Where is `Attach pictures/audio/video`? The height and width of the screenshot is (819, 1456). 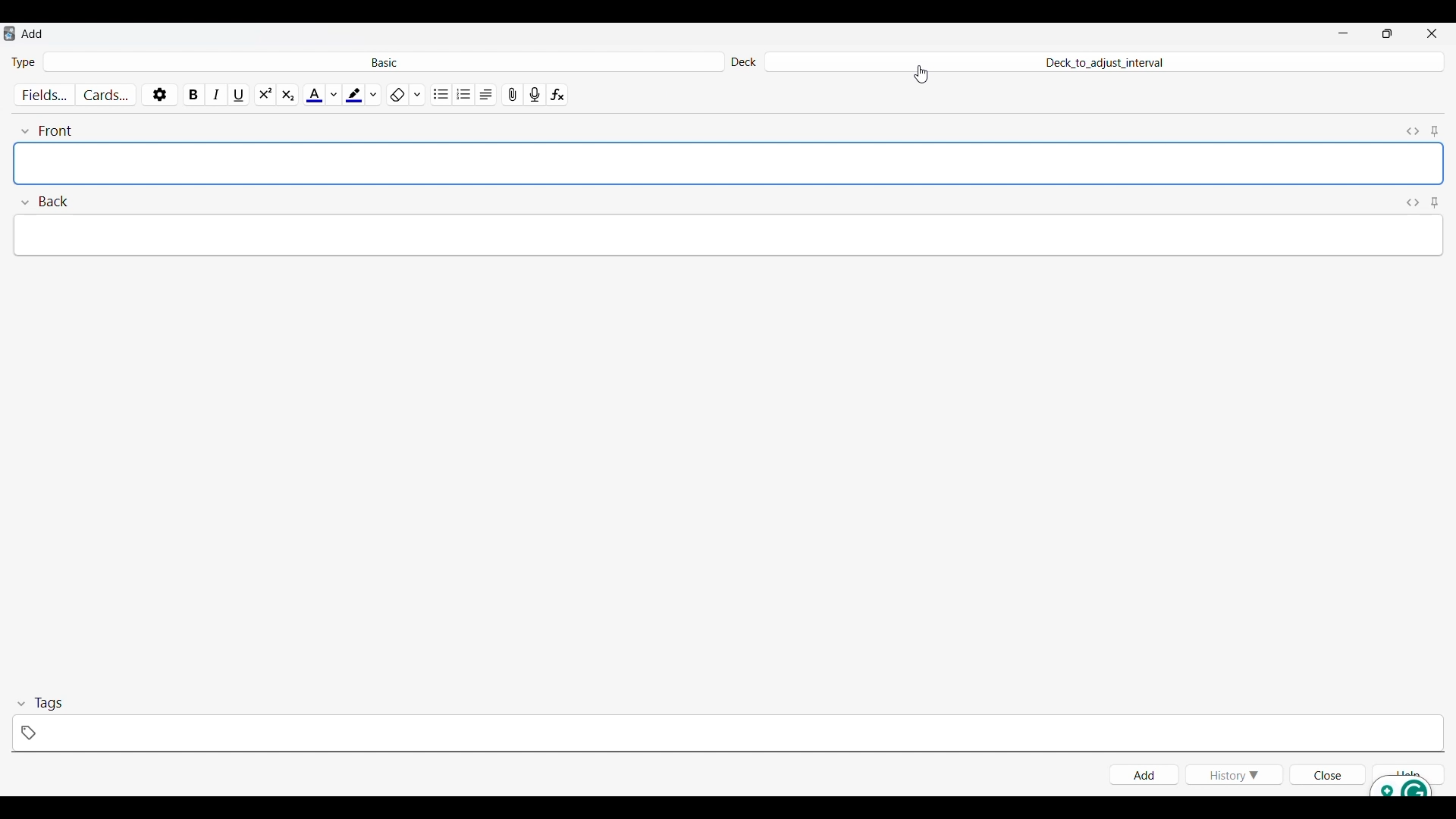
Attach pictures/audio/video is located at coordinates (513, 95).